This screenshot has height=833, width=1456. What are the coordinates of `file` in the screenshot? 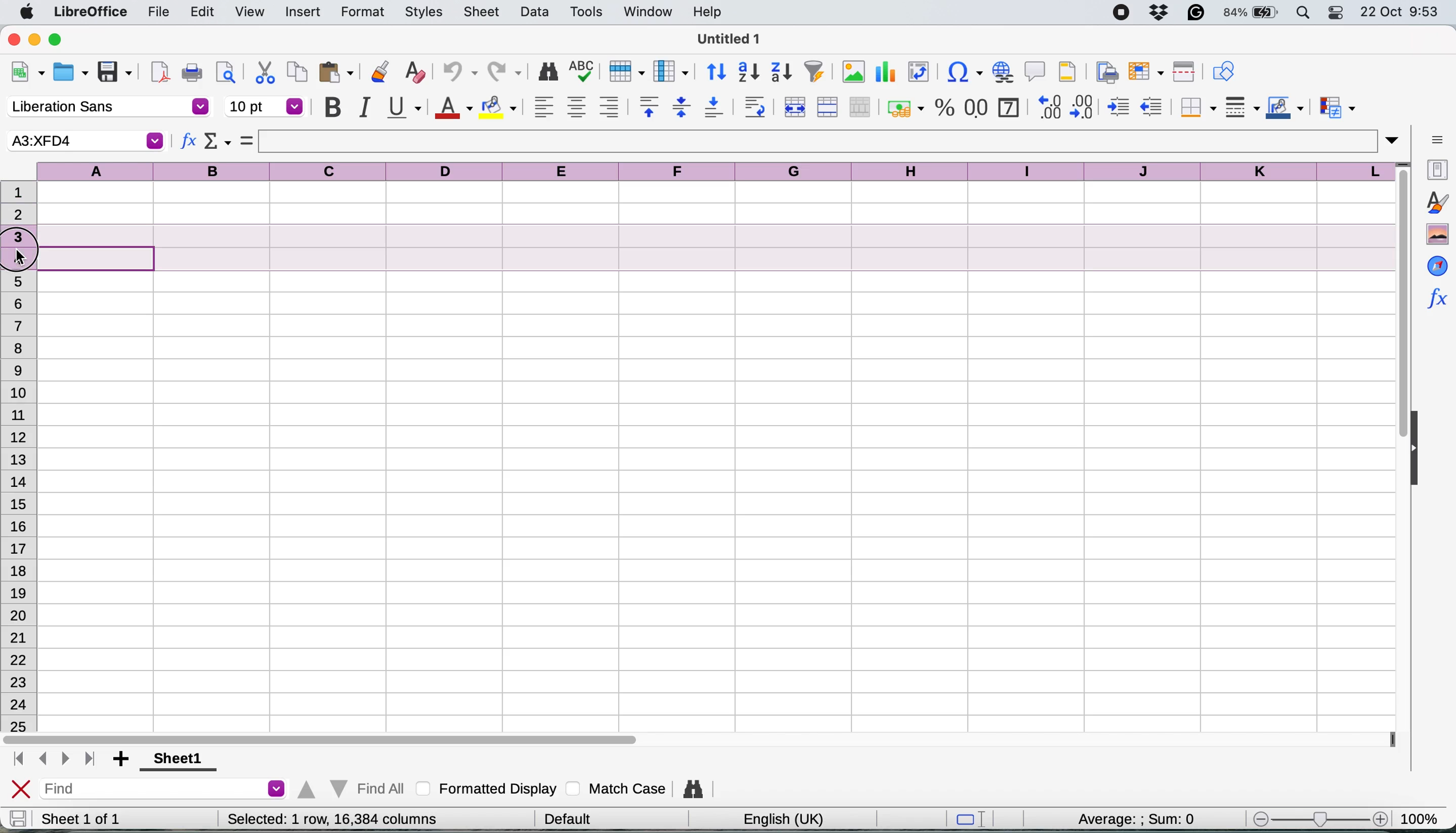 It's located at (158, 13).